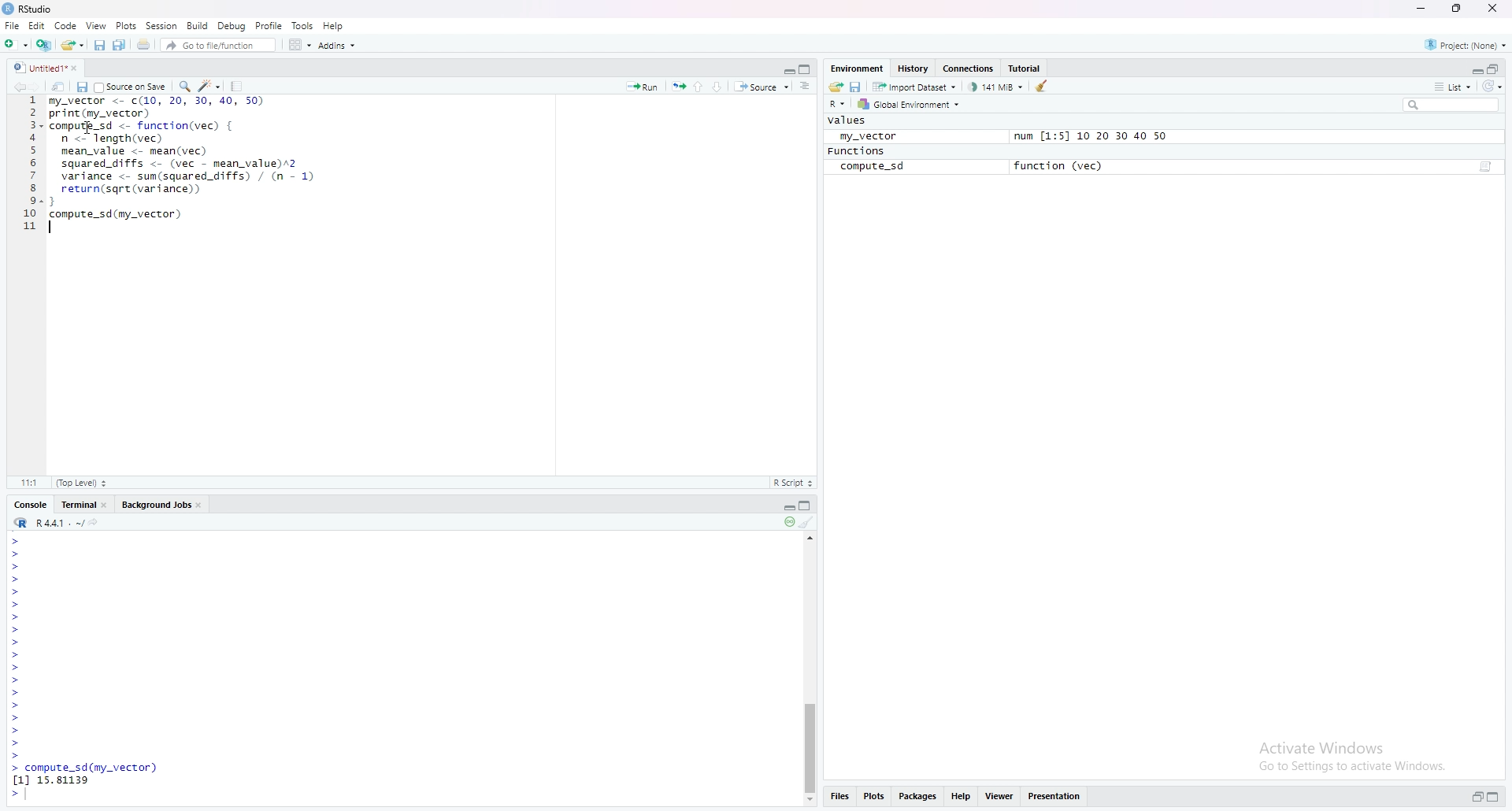  What do you see at coordinates (16, 43) in the screenshot?
I see `New Project` at bounding box center [16, 43].